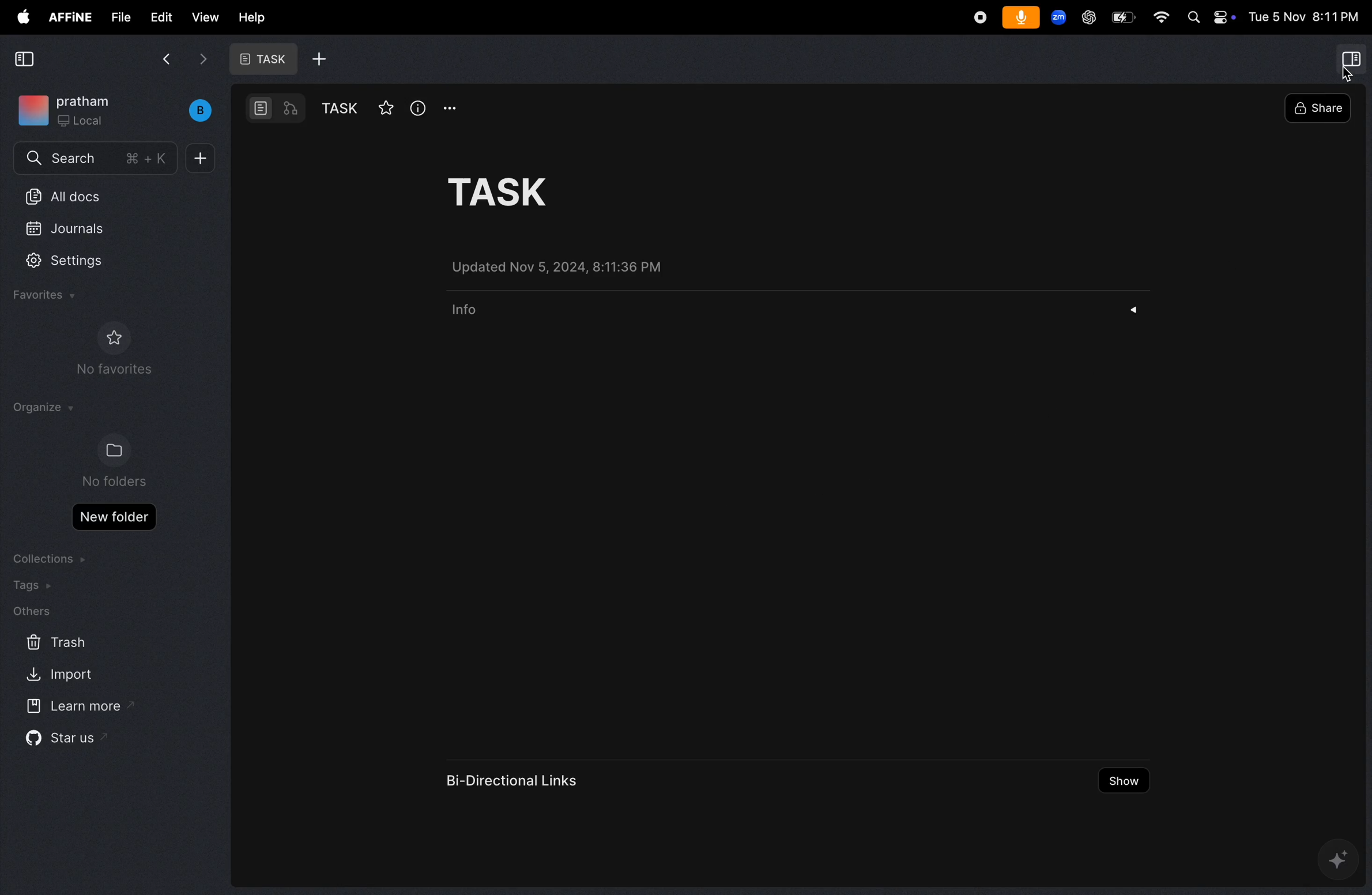 This screenshot has width=1372, height=895. What do you see at coordinates (1320, 107) in the screenshot?
I see `share` at bounding box center [1320, 107].